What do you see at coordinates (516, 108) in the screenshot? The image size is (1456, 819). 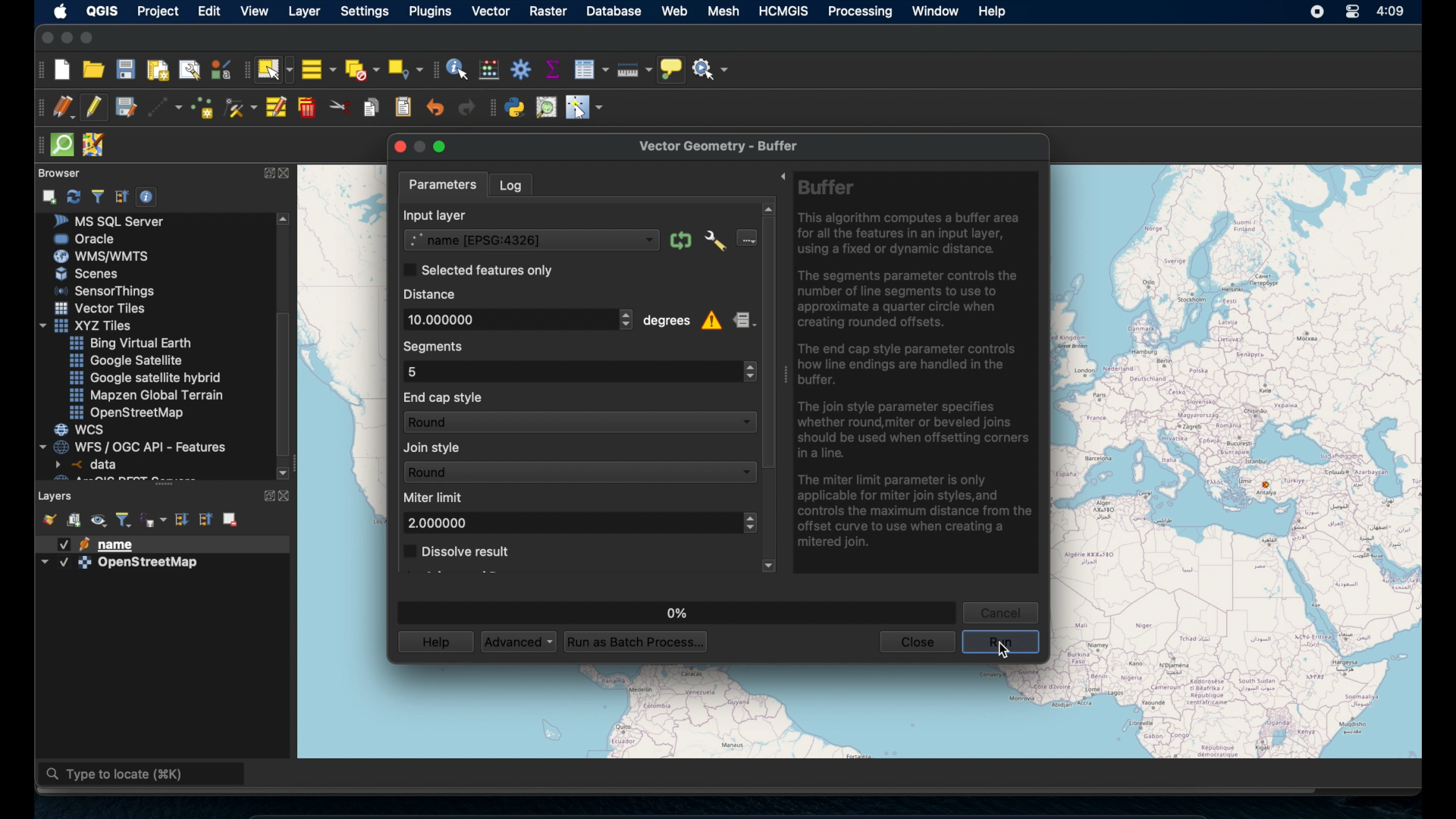 I see `python console` at bounding box center [516, 108].